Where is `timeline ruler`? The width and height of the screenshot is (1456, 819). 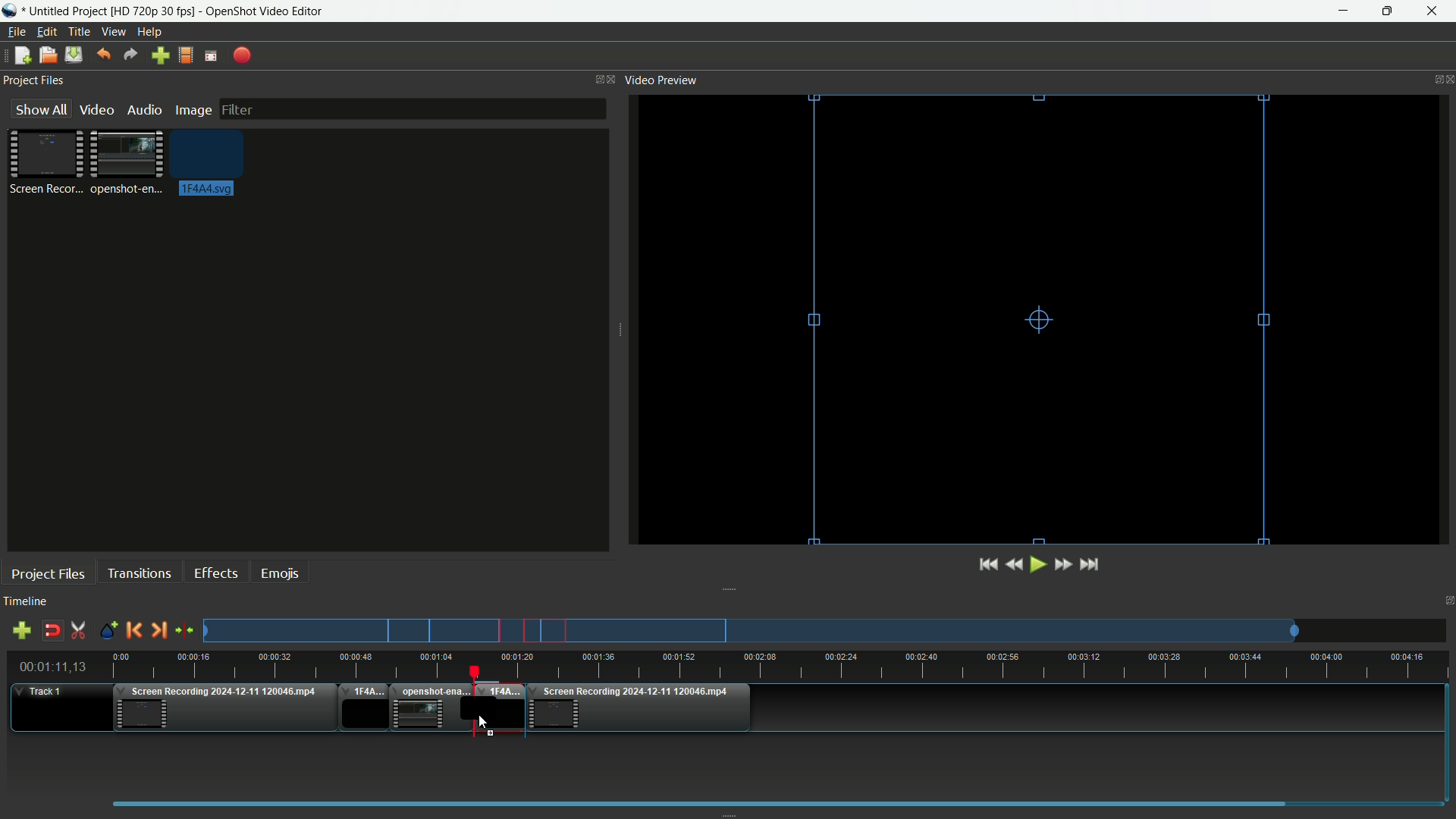 timeline ruler is located at coordinates (781, 667).